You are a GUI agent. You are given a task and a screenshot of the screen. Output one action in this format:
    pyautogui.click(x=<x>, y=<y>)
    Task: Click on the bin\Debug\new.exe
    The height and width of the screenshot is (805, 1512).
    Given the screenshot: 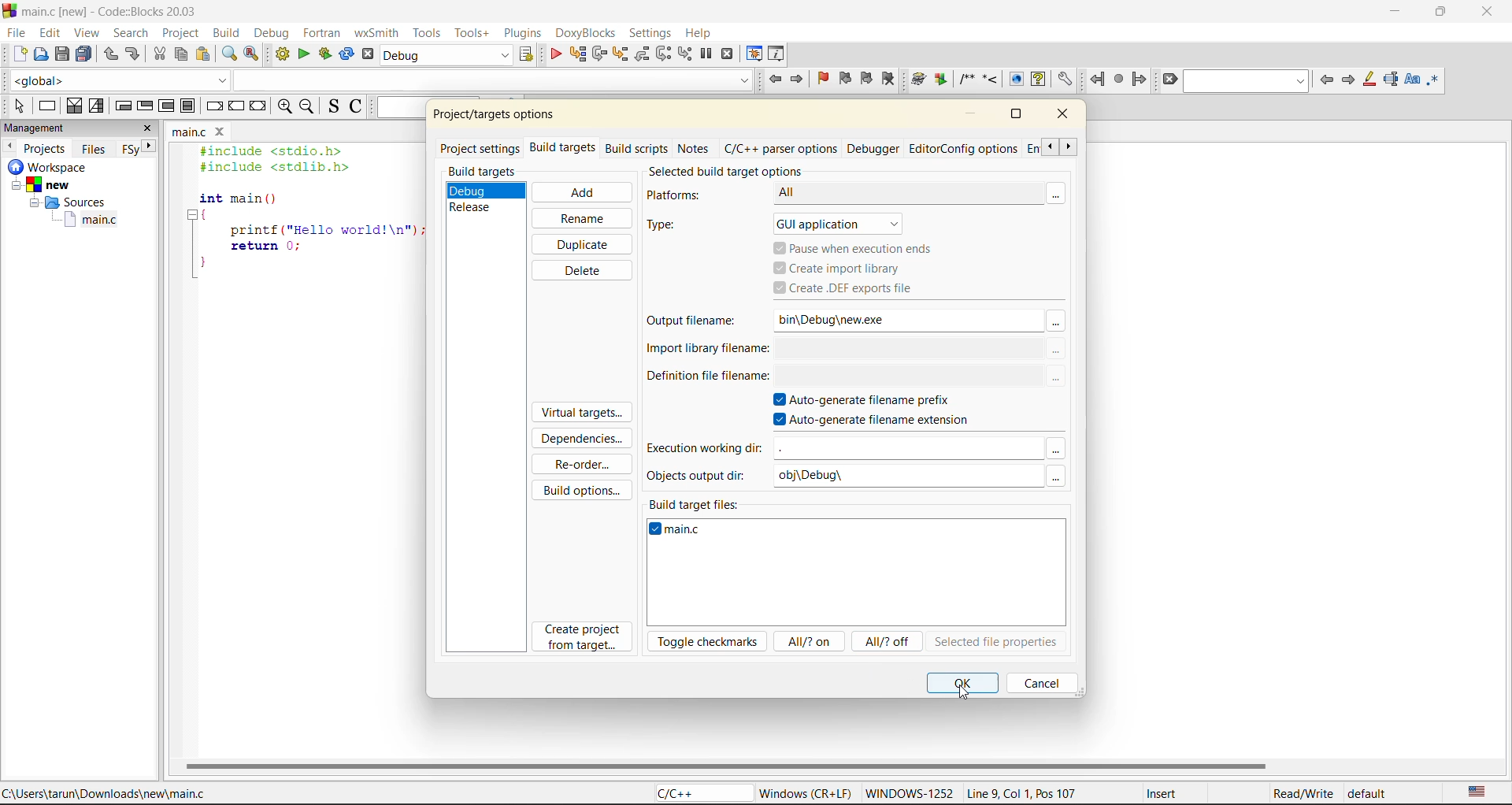 What is the action you would take?
    pyautogui.click(x=902, y=321)
    